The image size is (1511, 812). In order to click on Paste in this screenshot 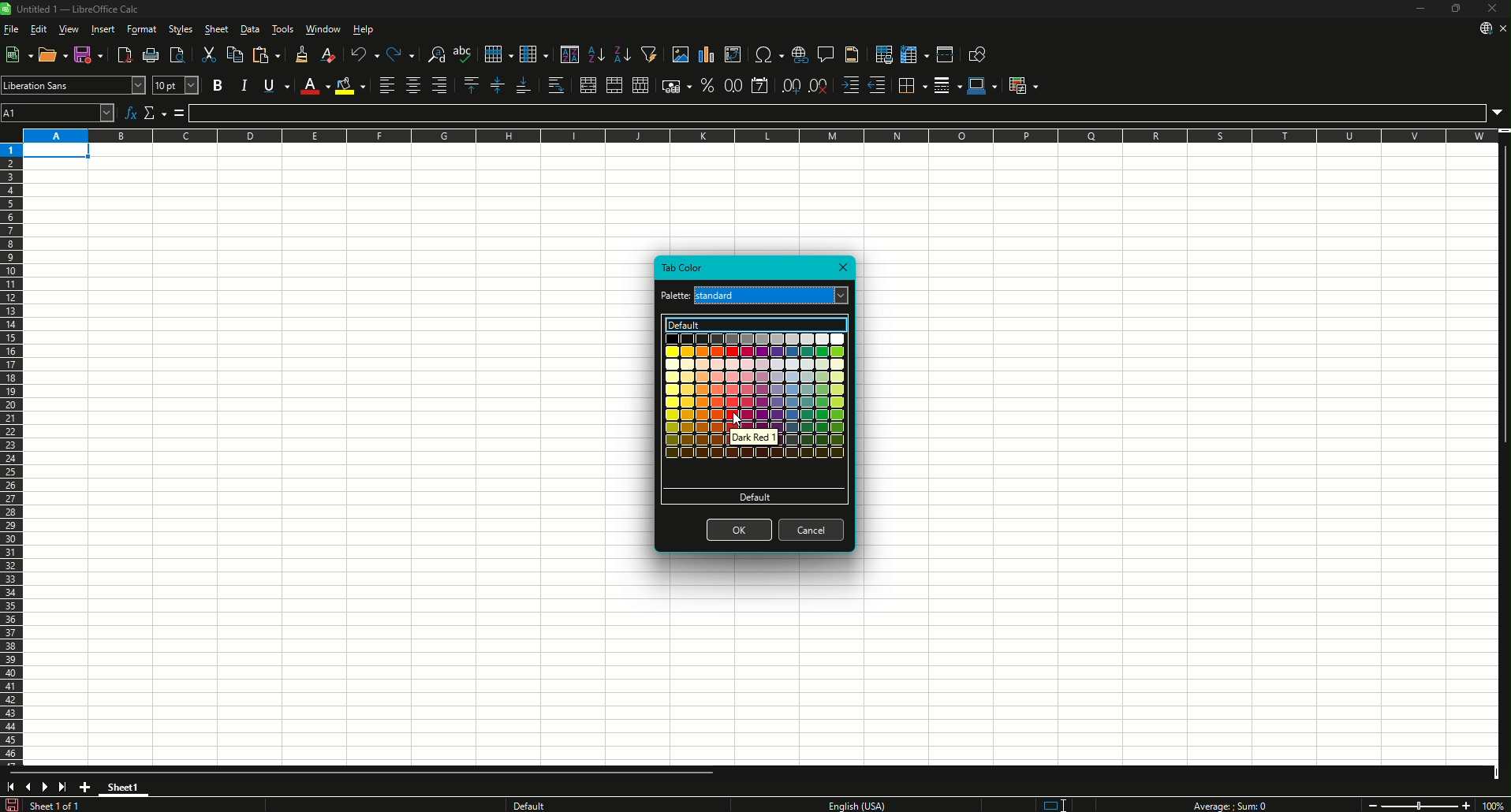, I will do `click(267, 54)`.